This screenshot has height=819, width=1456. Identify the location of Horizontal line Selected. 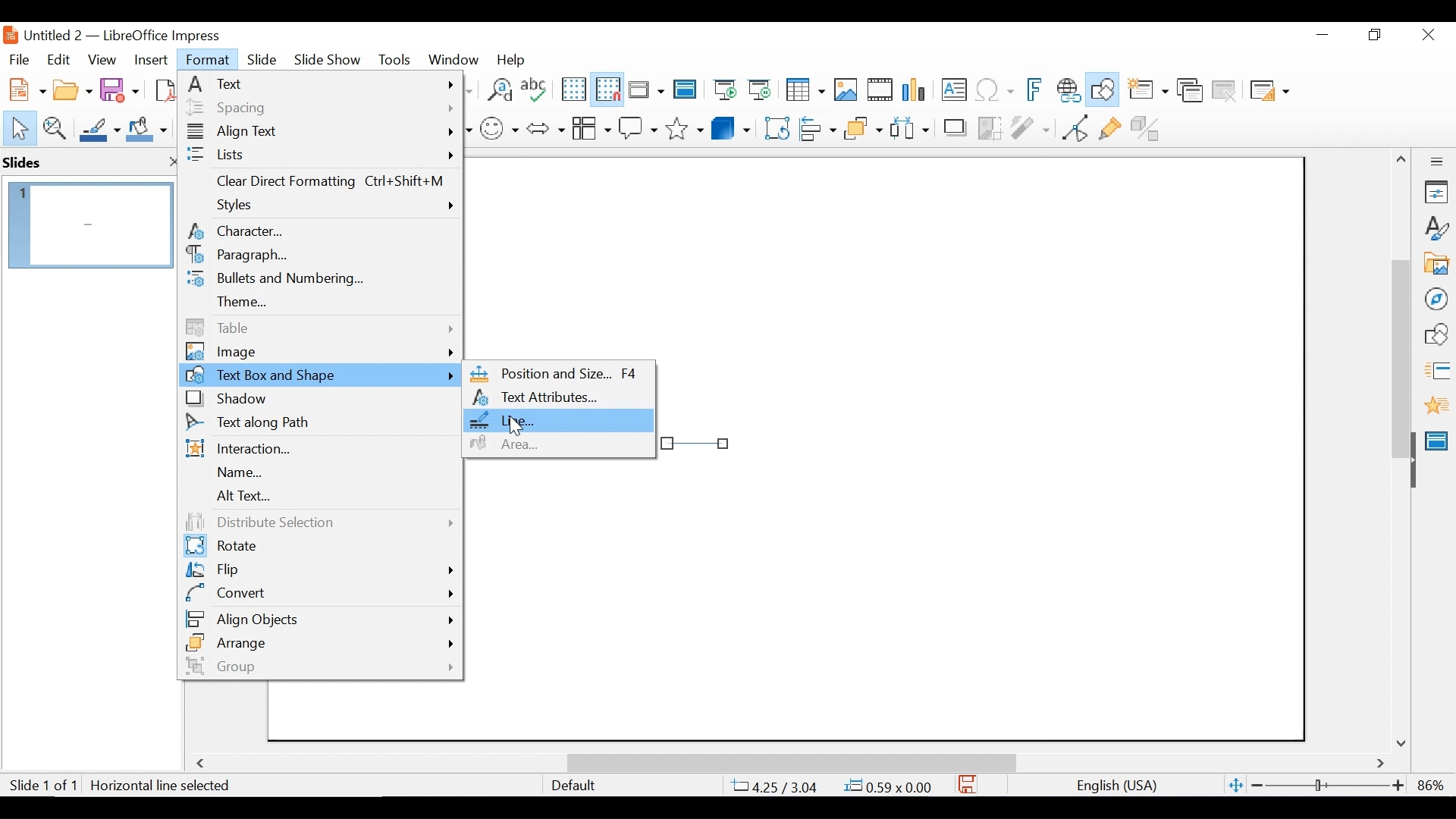
(162, 786).